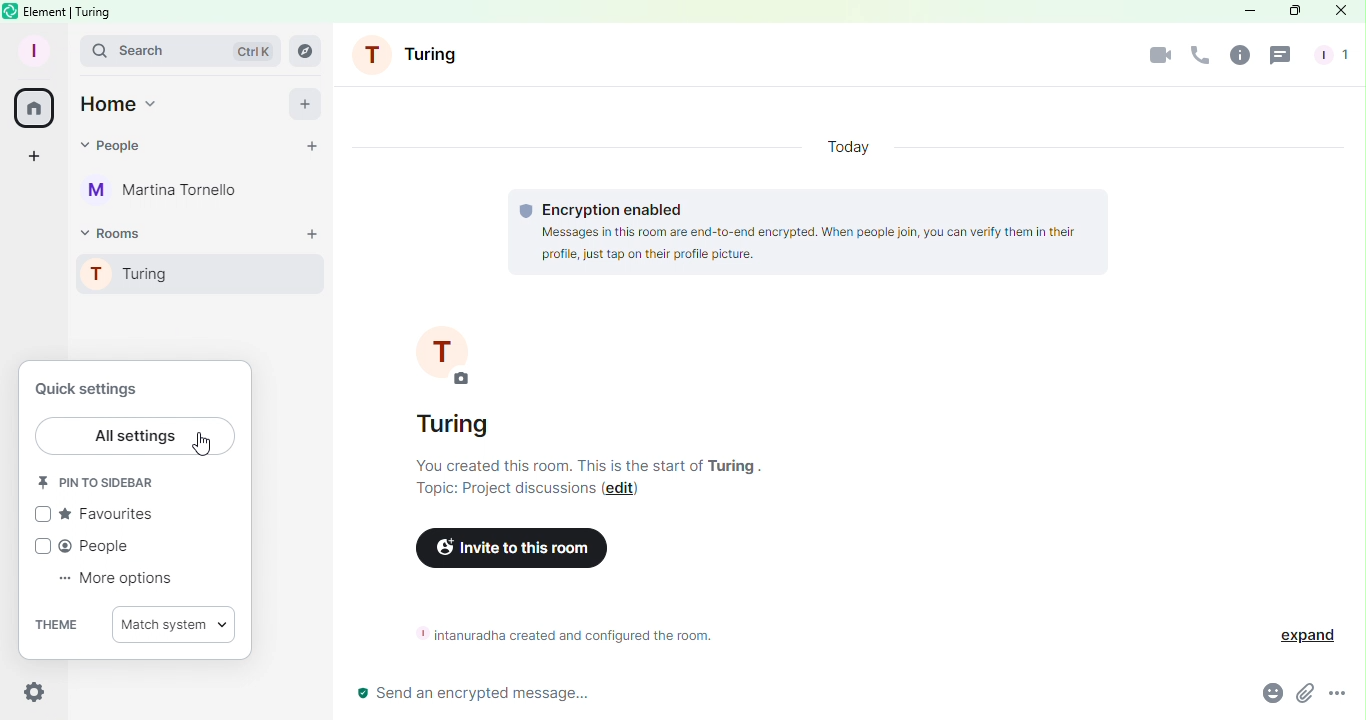 This screenshot has width=1366, height=720. What do you see at coordinates (161, 192) in the screenshot?
I see `Martina Tornello` at bounding box center [161, 192].